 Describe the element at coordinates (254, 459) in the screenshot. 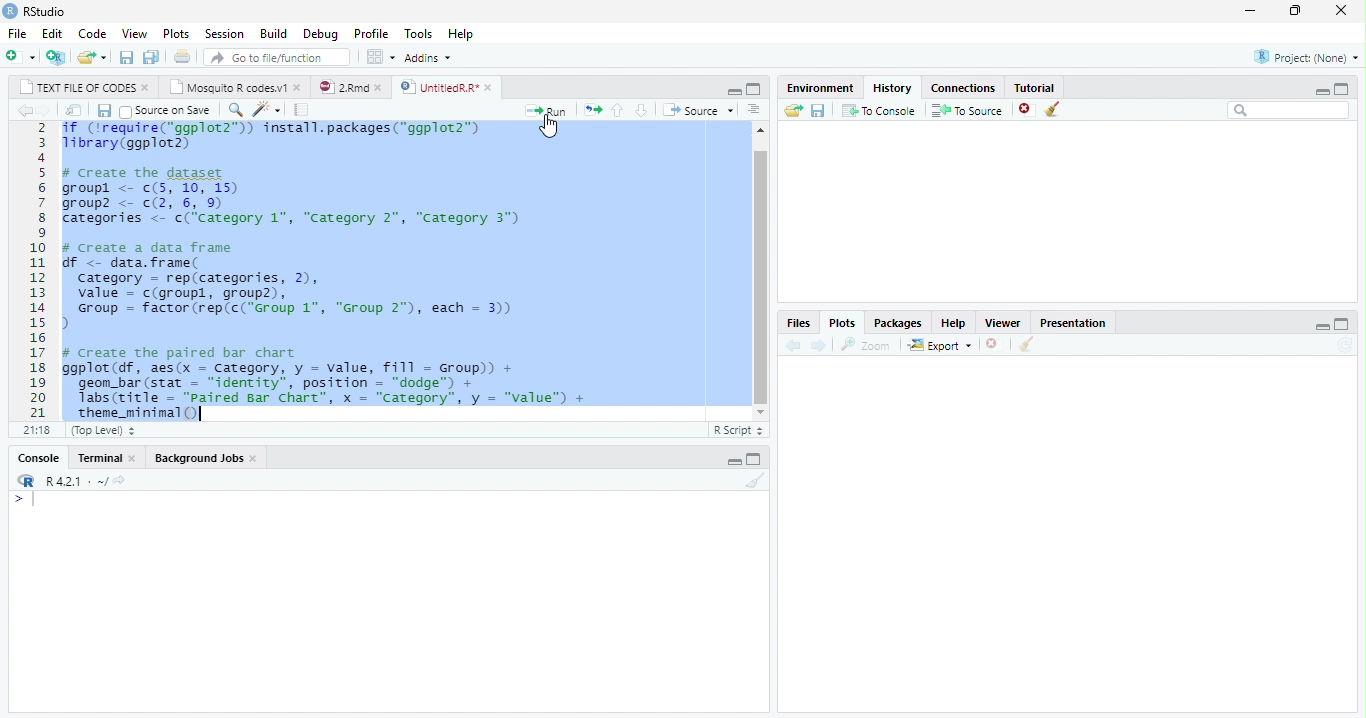

I see `close` at that location.